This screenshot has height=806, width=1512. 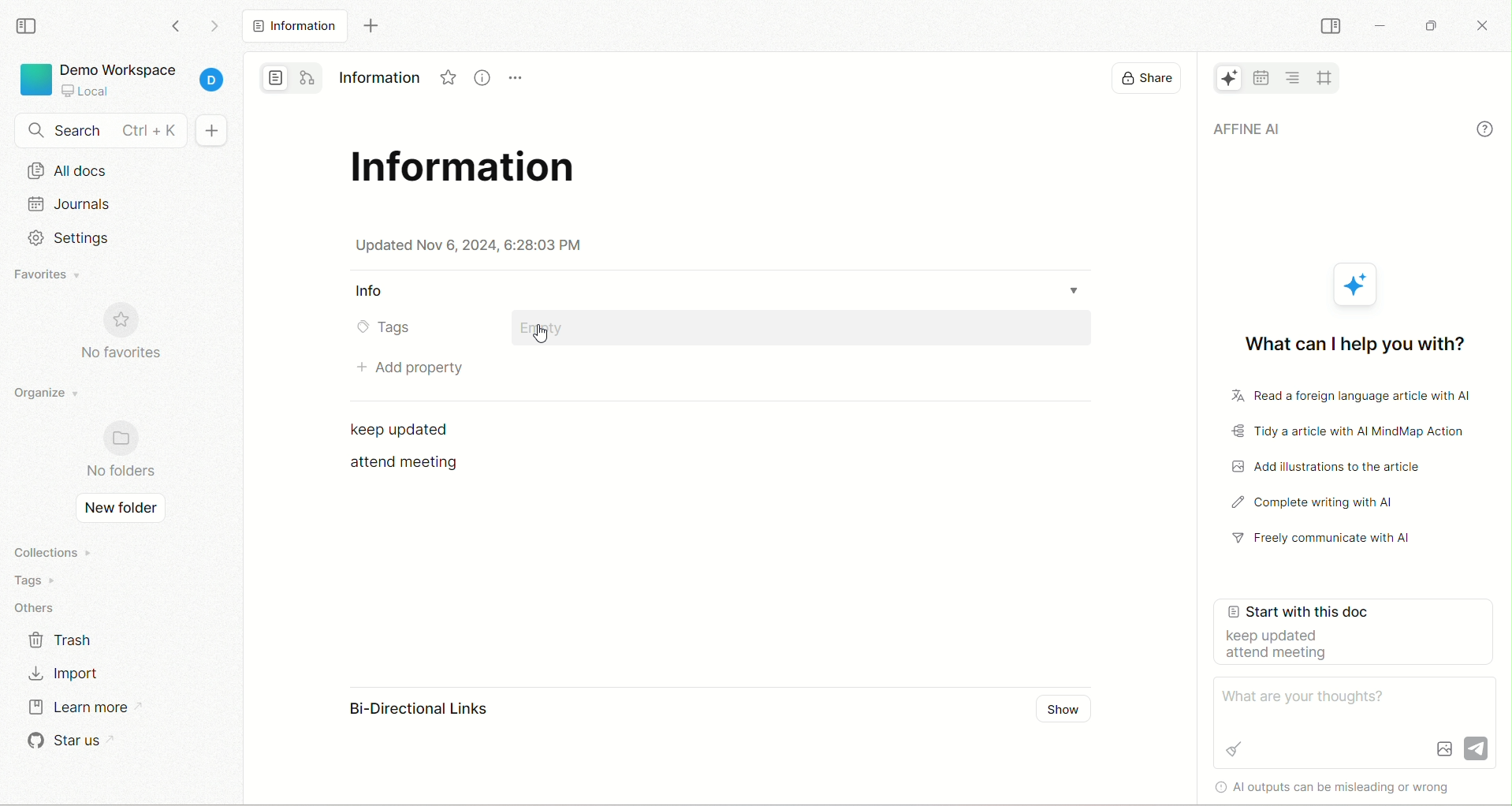 What do you see at coordinates (217, 129) in the screenshot?
I see `+` at bounding box center [217, 129].